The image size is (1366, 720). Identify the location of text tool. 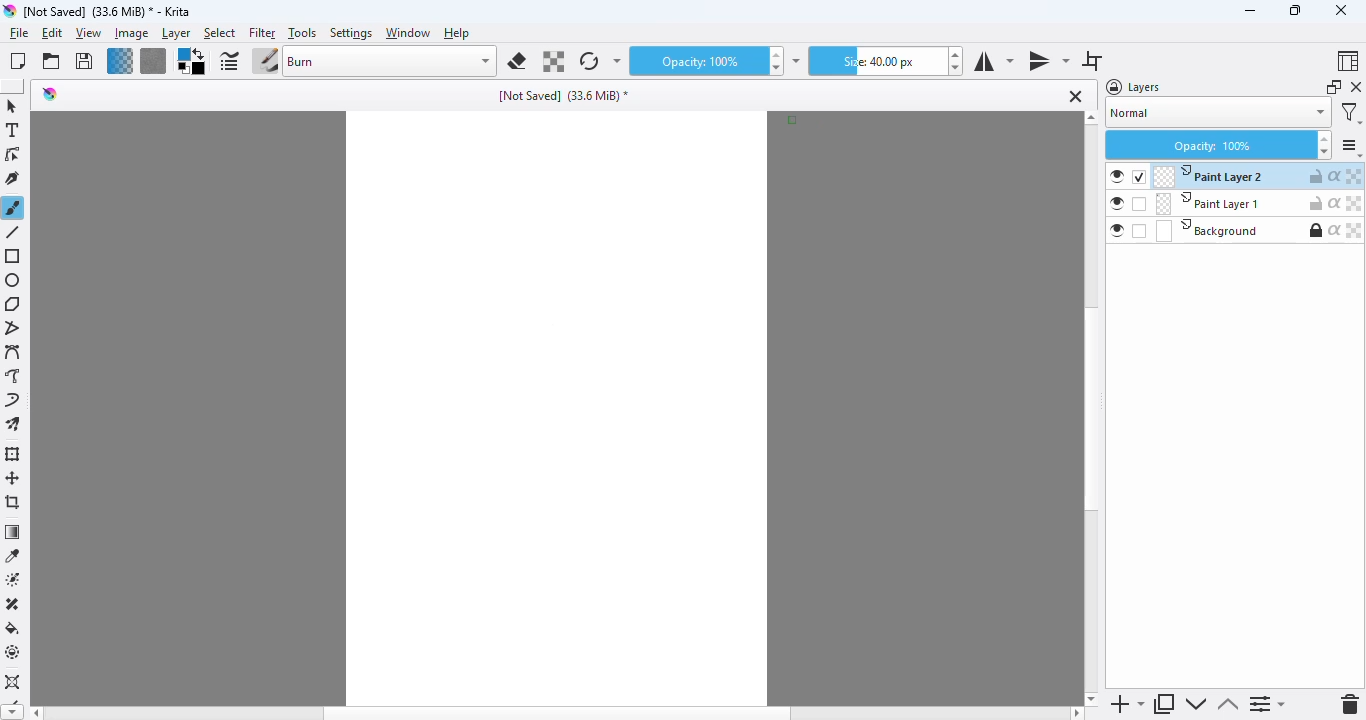
(12, 130).